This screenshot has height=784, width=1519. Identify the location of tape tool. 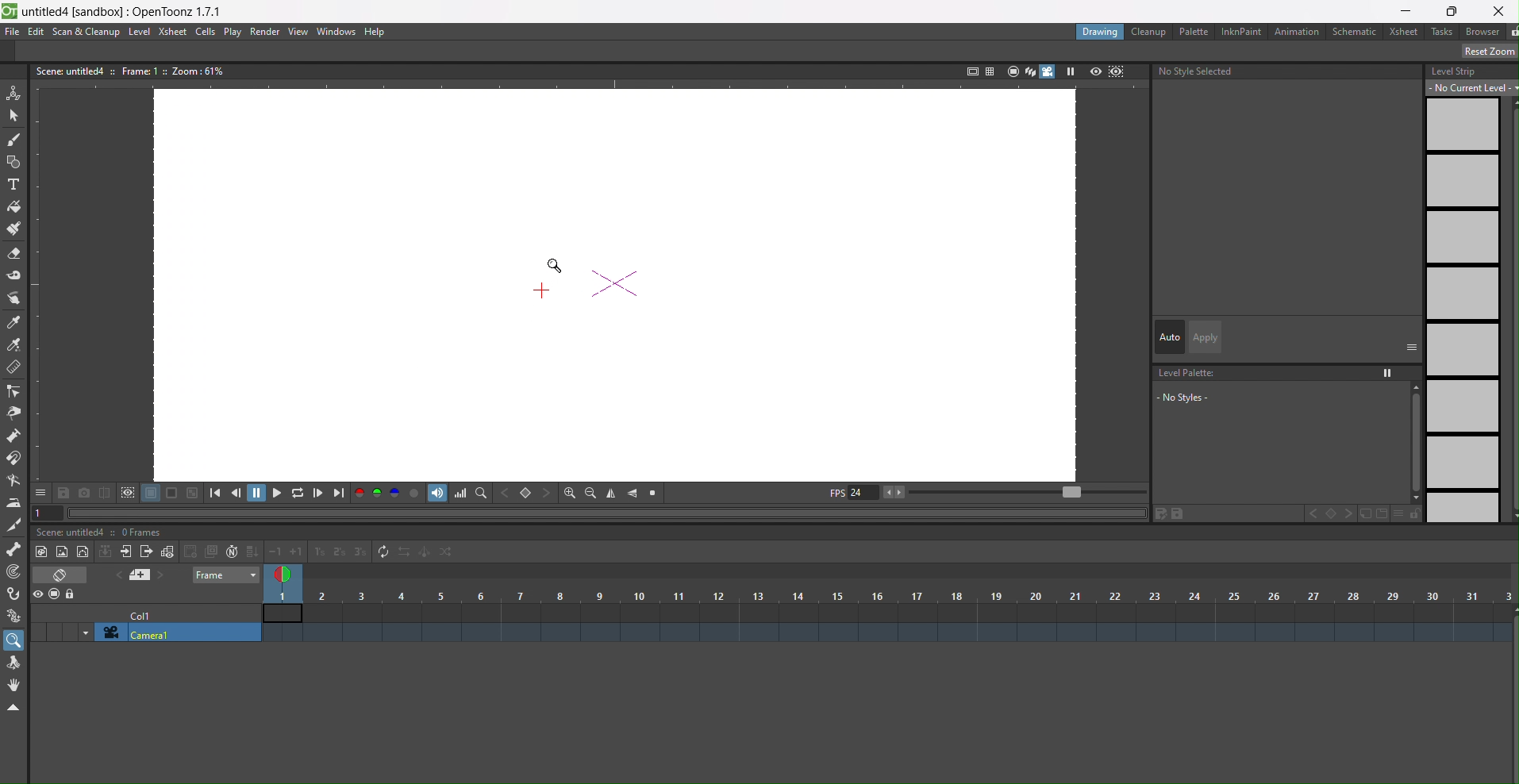
(14, 277).